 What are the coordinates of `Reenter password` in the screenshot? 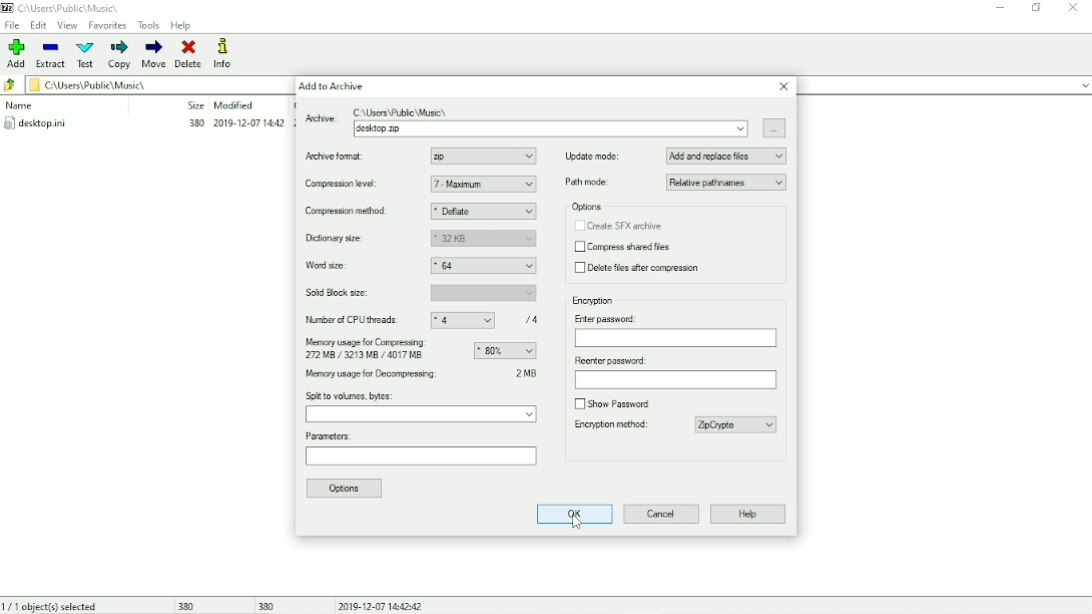 It's located at (675, 373).